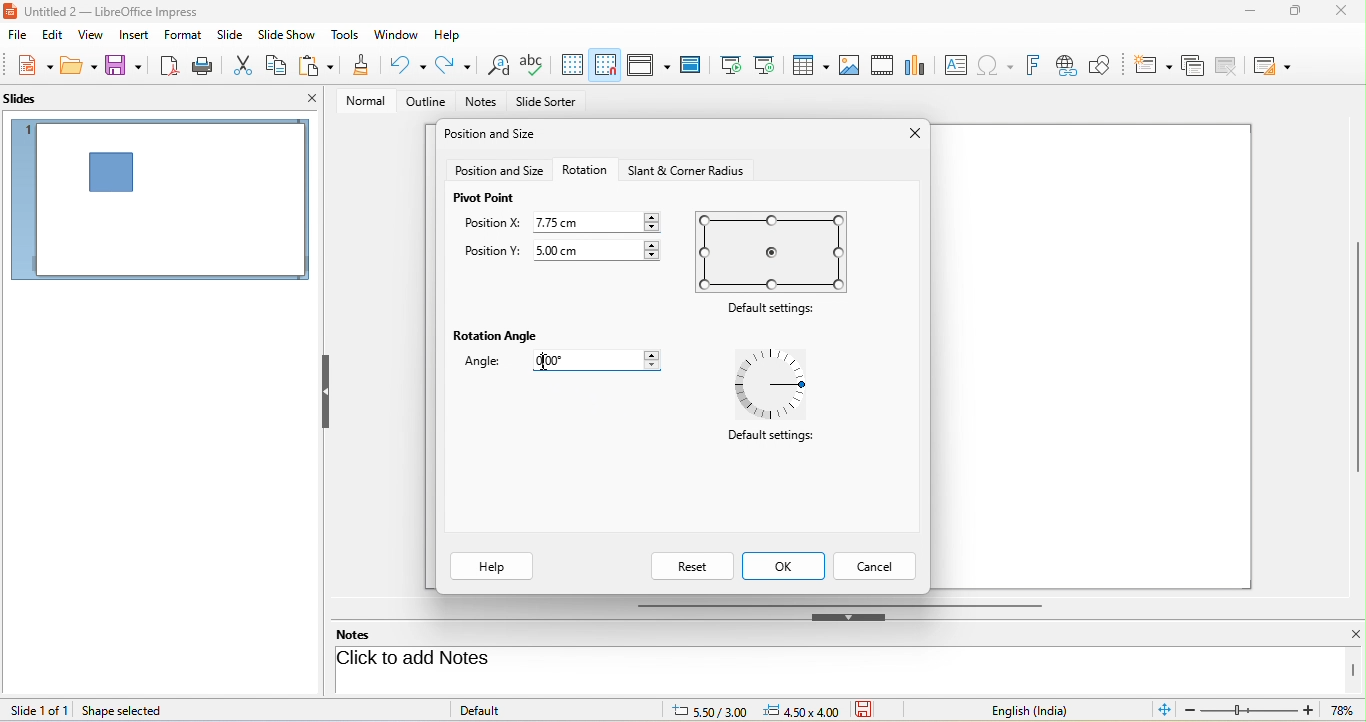 This screenshot has height=722, width=1366. I want to click on duplicate slide, so click(1192, 64).